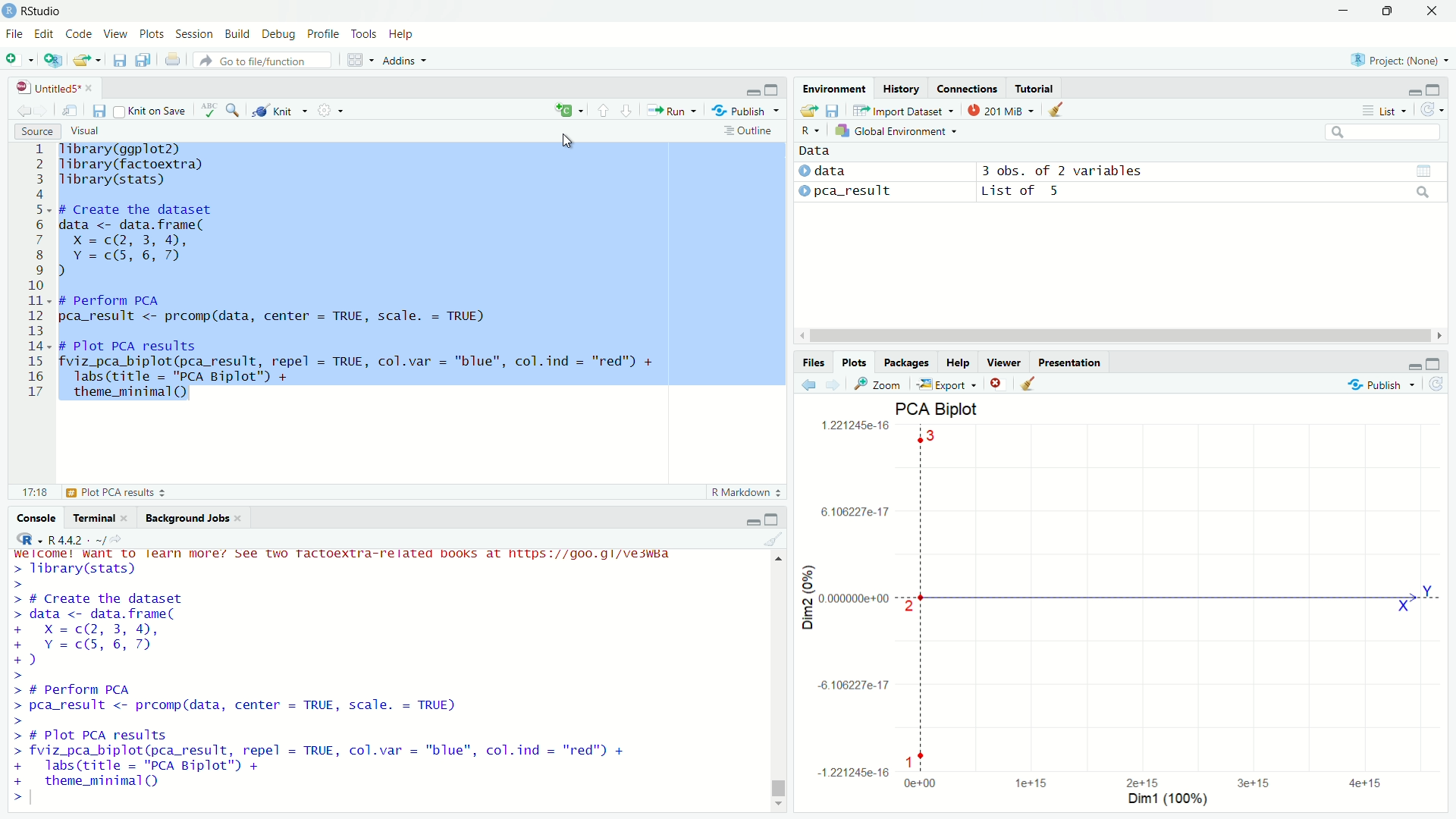 The image size is (1456, 819). What do you see at coordinates (1001, 109) in the screenshot?
I see `memory usage` at bounding box center [1001, 109].